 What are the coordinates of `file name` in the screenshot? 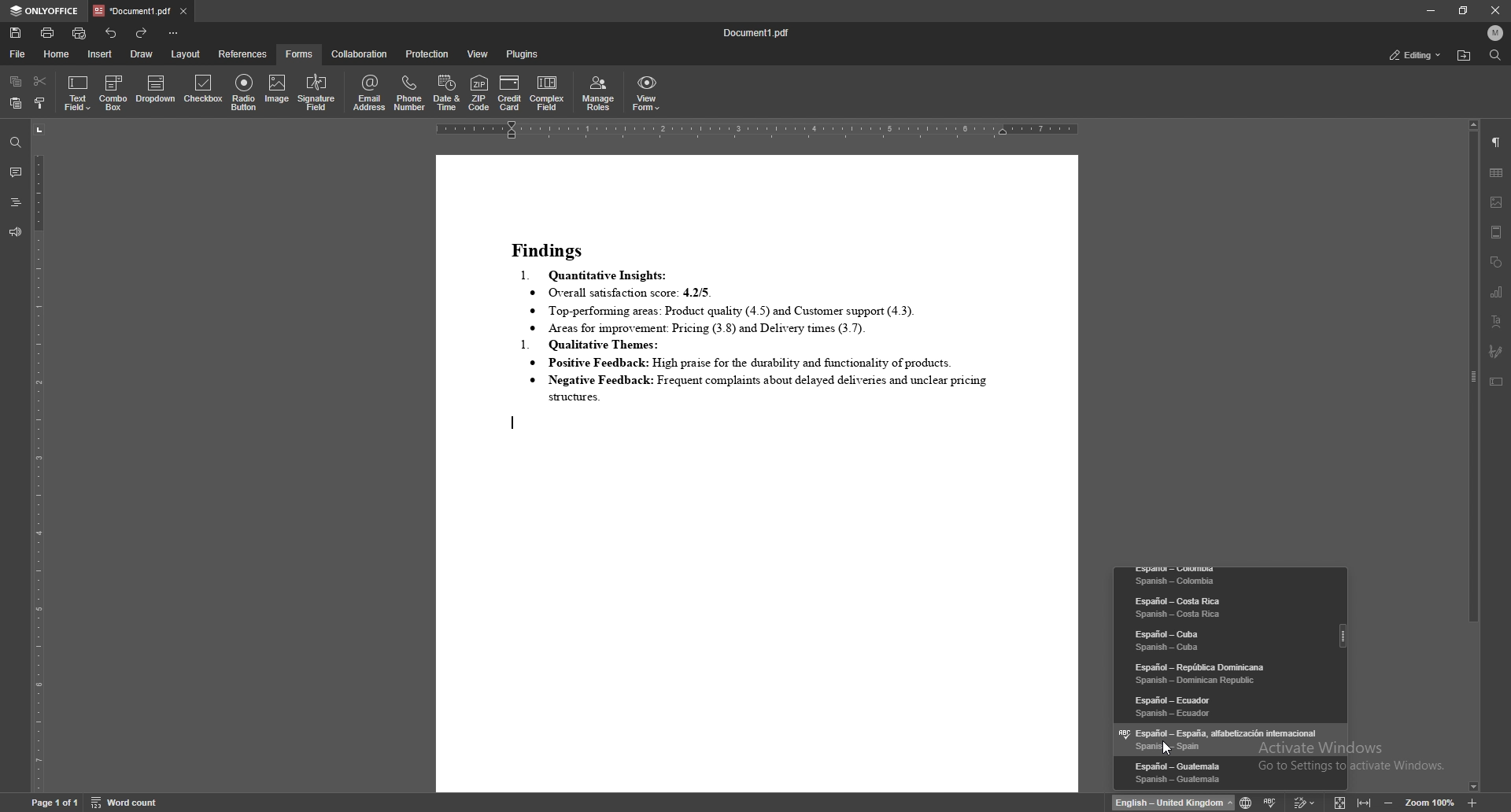 It's located at (758, 35).